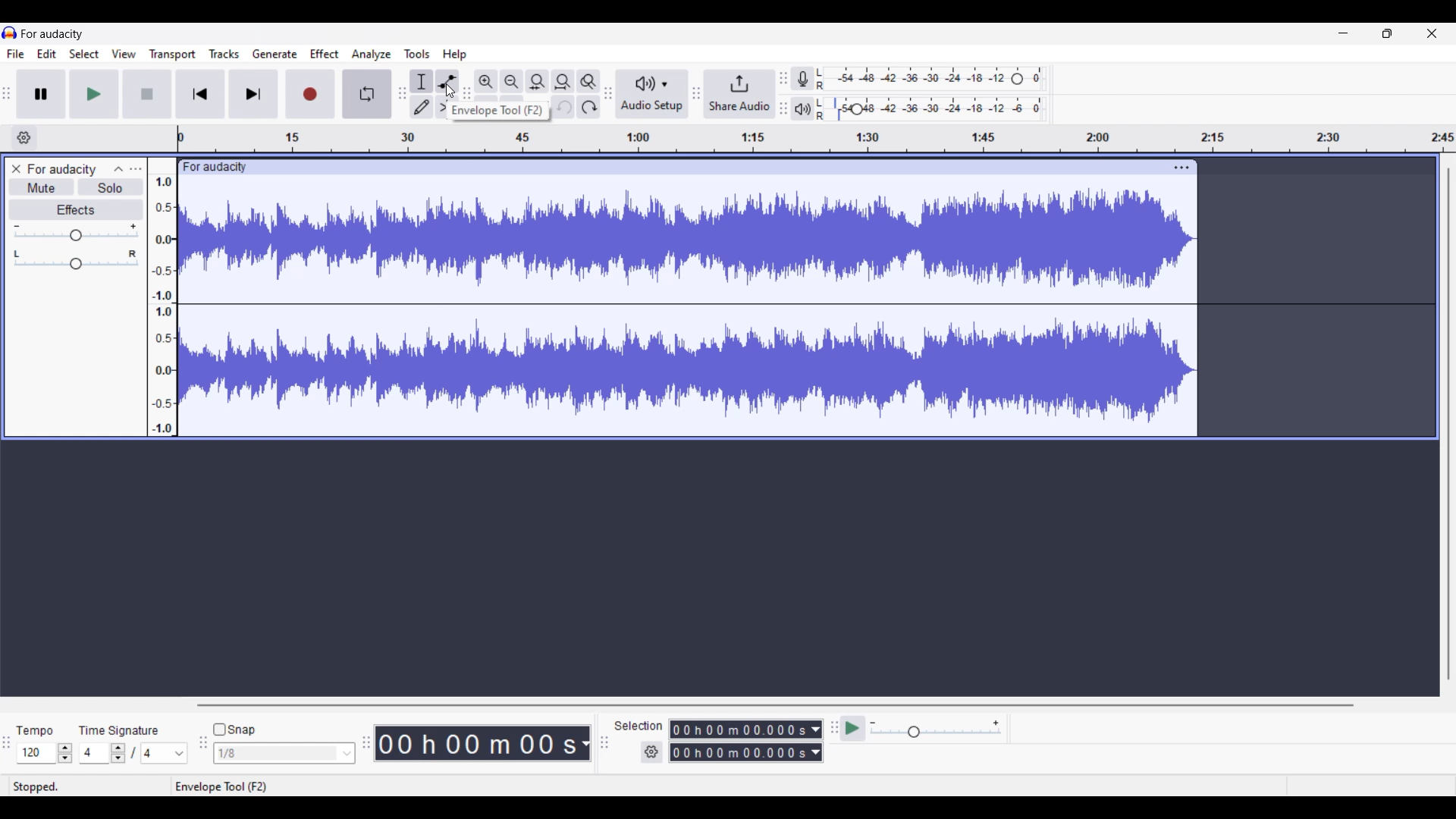 Image resolution: width=1456 pixels, height=819 pixels. What do you see at coordinates (740, 93) in the screenshot?
I see `Share audio` at bounding box center [740, 93].